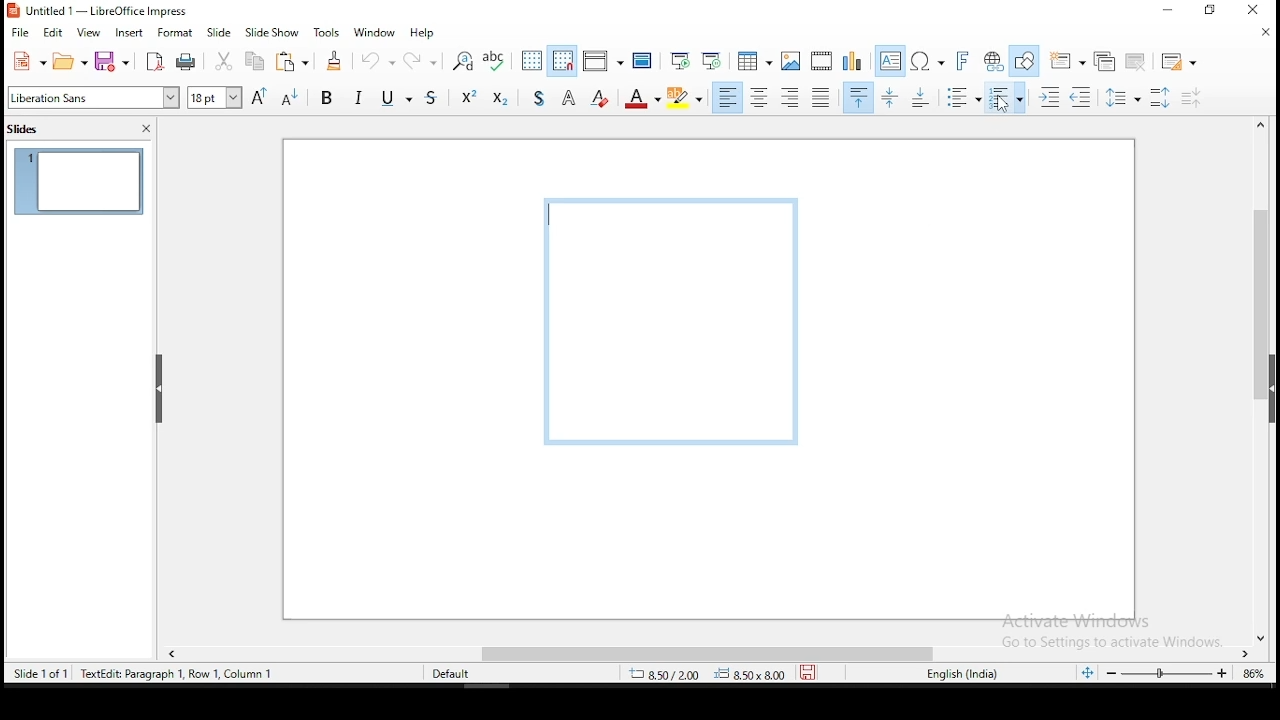 The height and width of the screenshot is (720, 1280). What do you see at coordinates (159, 388) in the screenshot?
I see `close pane` at bounding box center [159, 388].